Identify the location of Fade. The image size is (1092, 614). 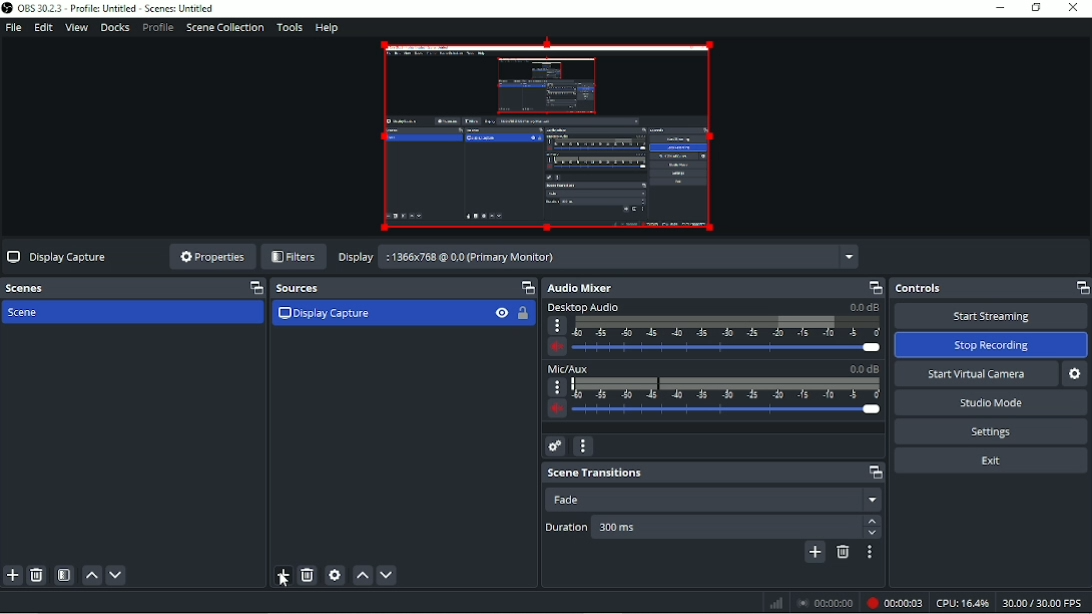
(713, 500).